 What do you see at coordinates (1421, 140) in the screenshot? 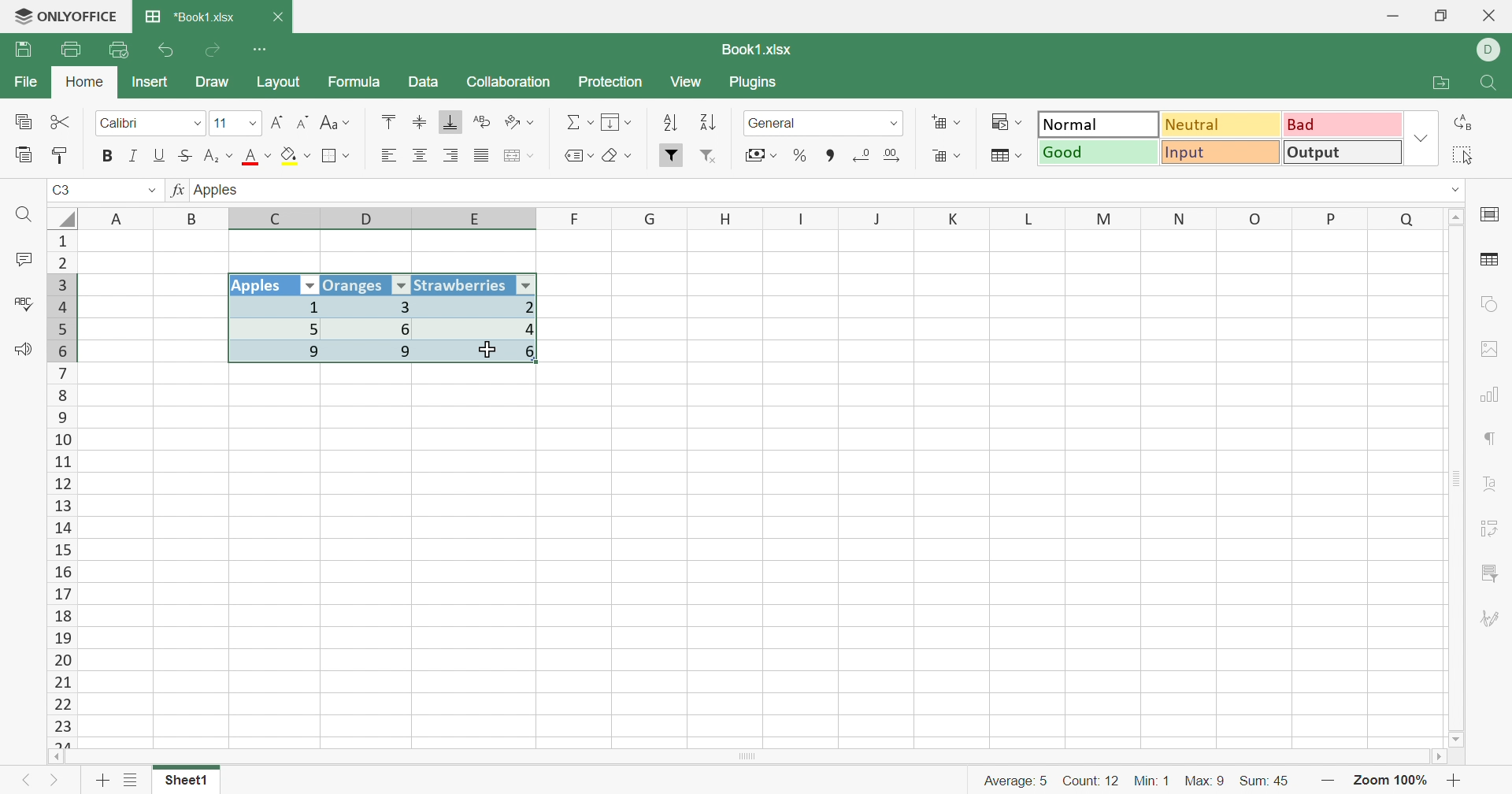
I see `Drop Down` at bounding box center [1421, 140].